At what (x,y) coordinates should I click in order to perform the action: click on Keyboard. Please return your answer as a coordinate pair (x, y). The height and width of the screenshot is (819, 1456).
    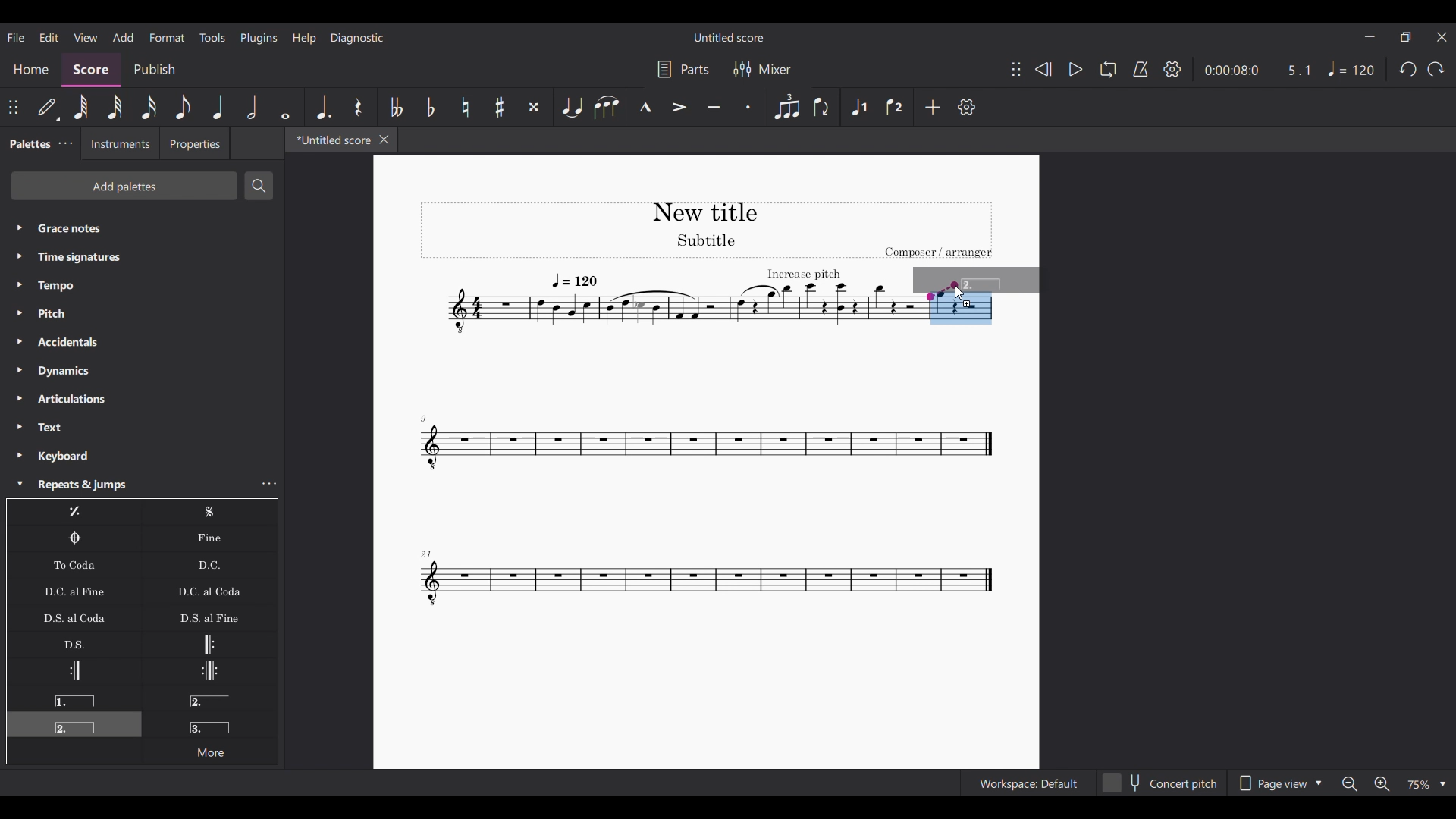
    Looking at the image, I should click on (142, 456).